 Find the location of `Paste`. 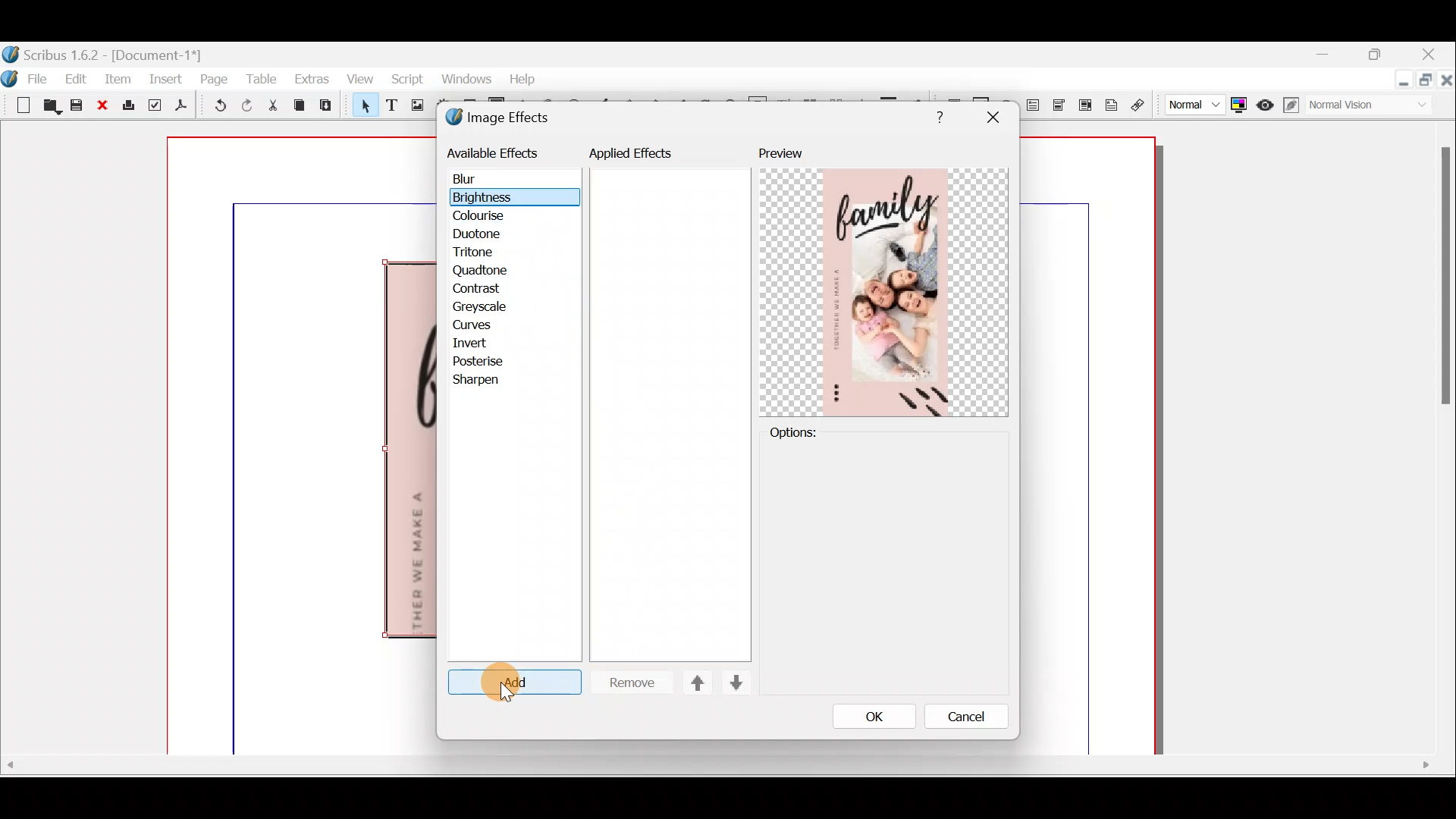

Paste is located at coordinates (329, 107).